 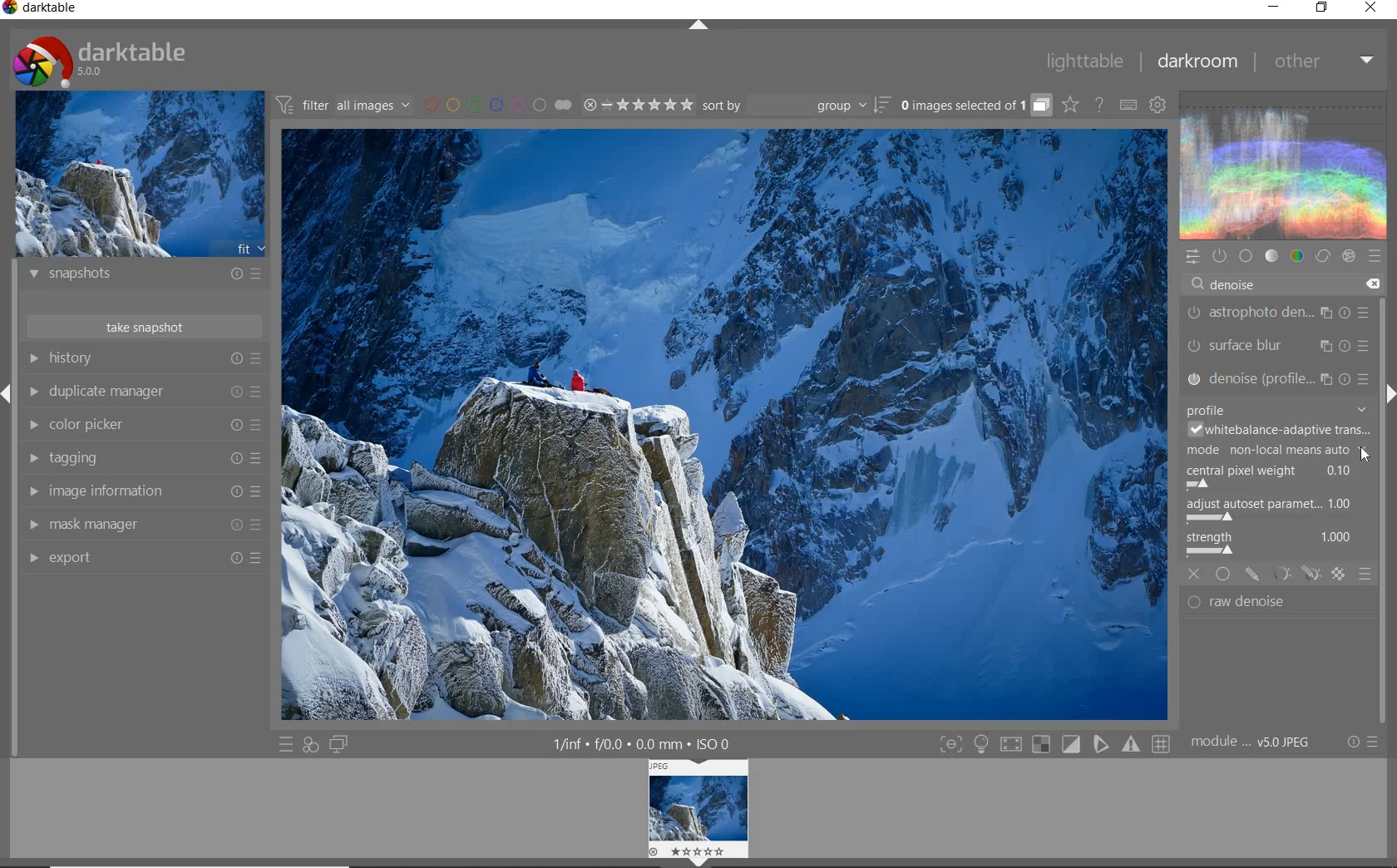 I want to click on IMAGE, so click(x=700, y=812).